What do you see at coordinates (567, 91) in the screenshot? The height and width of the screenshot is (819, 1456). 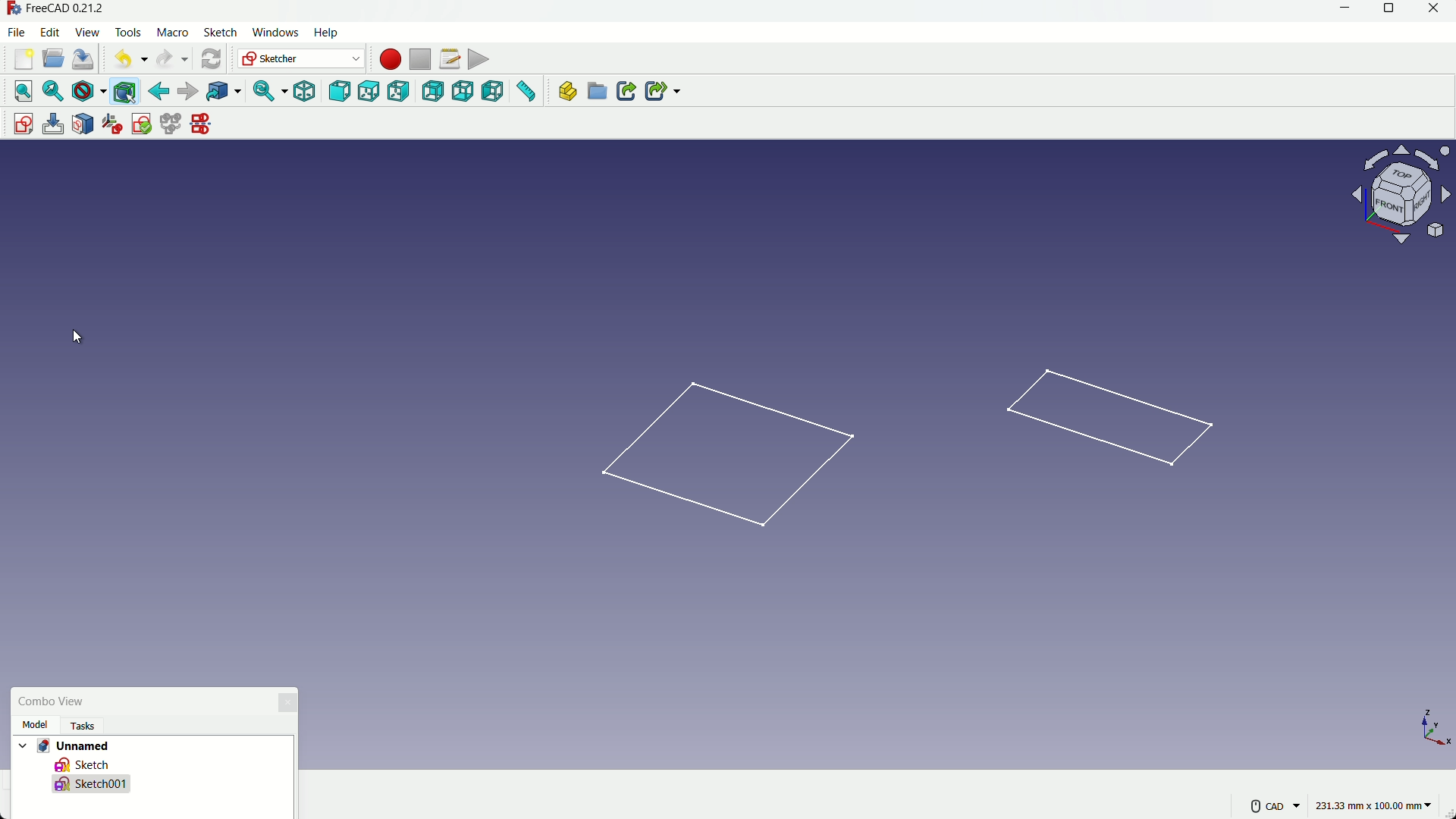 I see `create part` at bounding box center [567, 91].